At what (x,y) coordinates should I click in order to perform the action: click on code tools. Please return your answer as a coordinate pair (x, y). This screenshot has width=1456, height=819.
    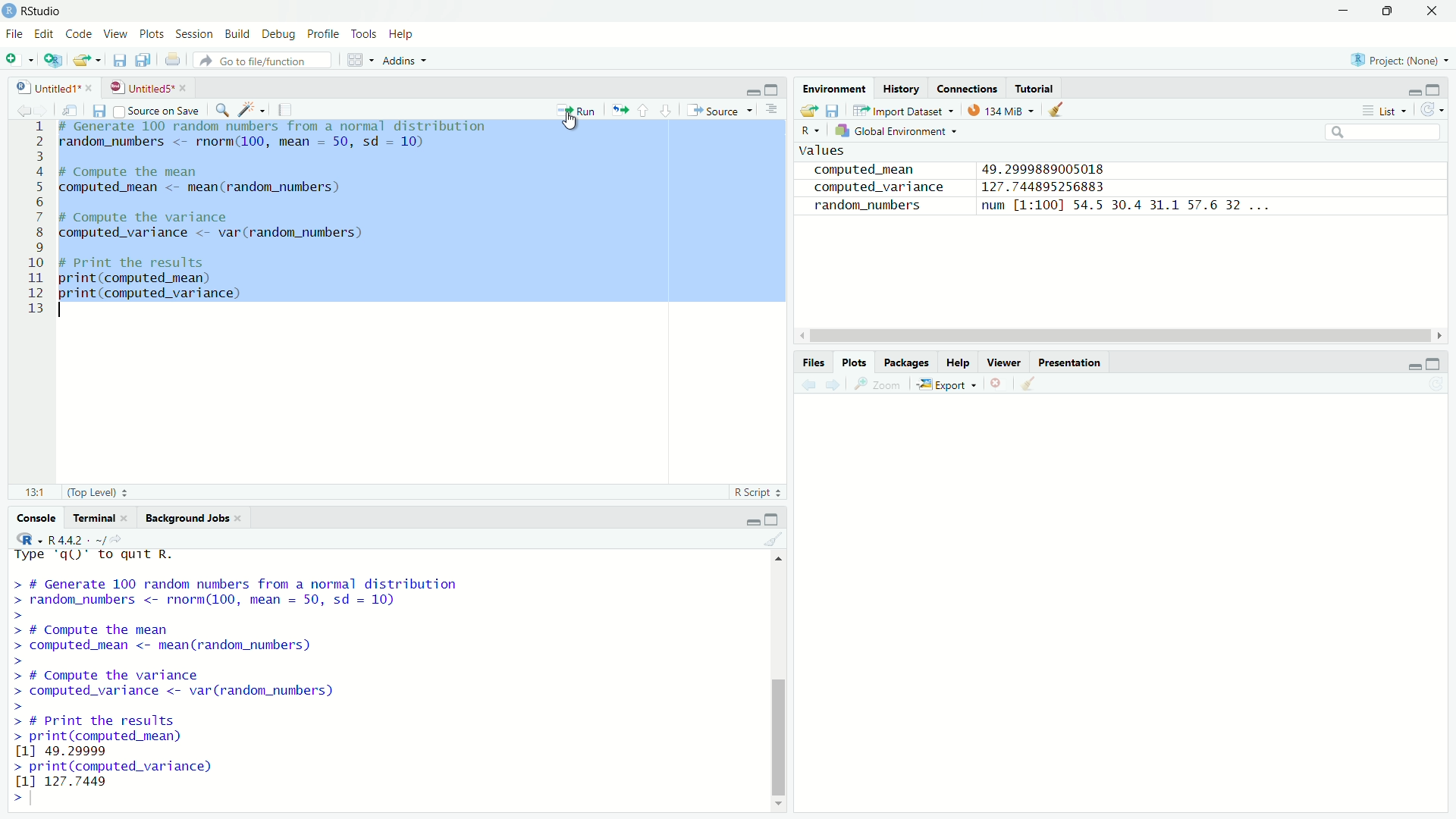
    Looking at the image, I should click on (250, 109).